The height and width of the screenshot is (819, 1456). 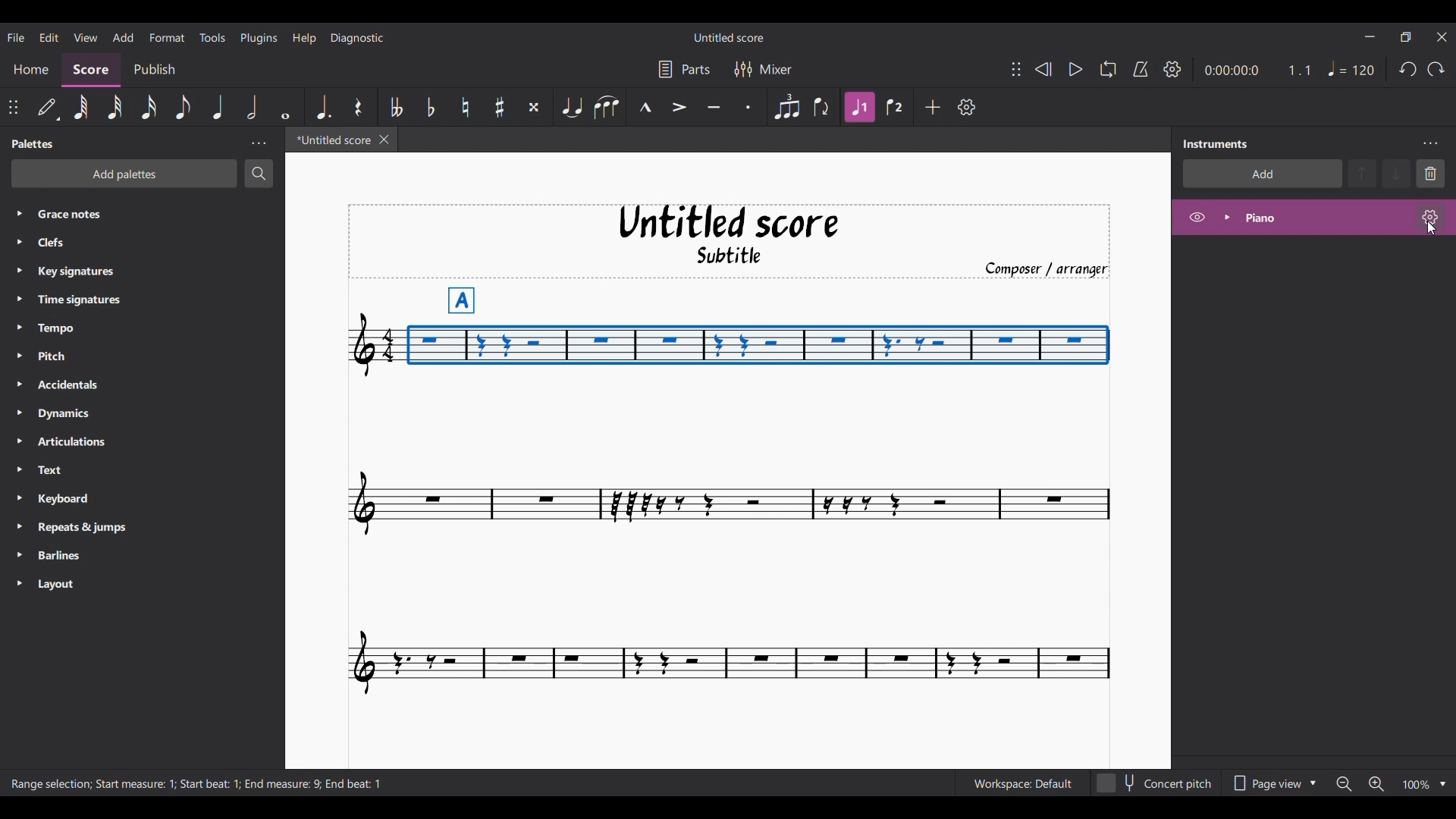 What do you see at coordinates (1219, 144) in the screenshot?
I see `Panel title` at bounding box center [1219, 144].